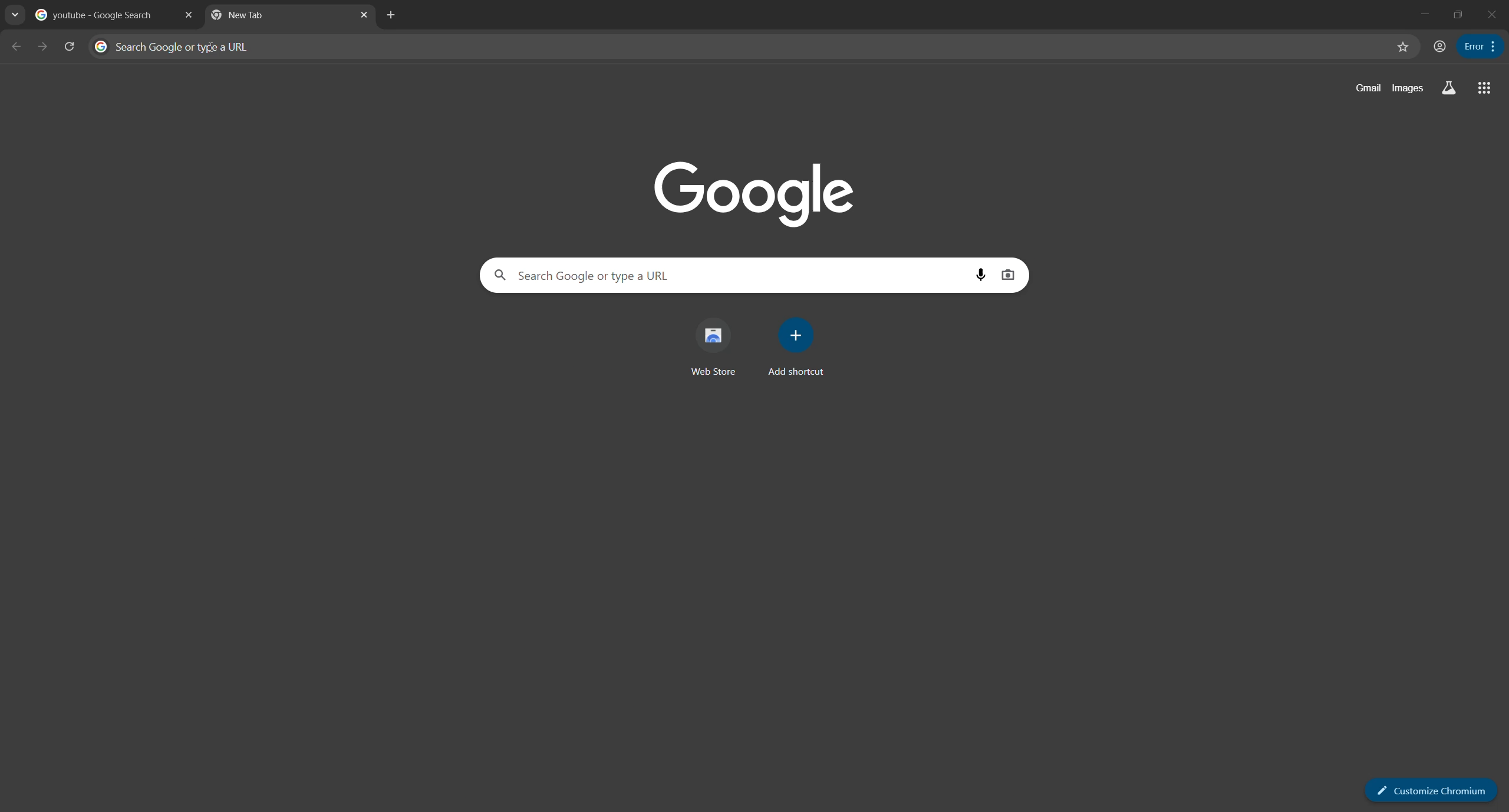 This screenshot has width=1509, height=812. What do you see at coordinates (792, 349) in the screenshot?
I see `add shortcut` at bounding box center [792, 349].